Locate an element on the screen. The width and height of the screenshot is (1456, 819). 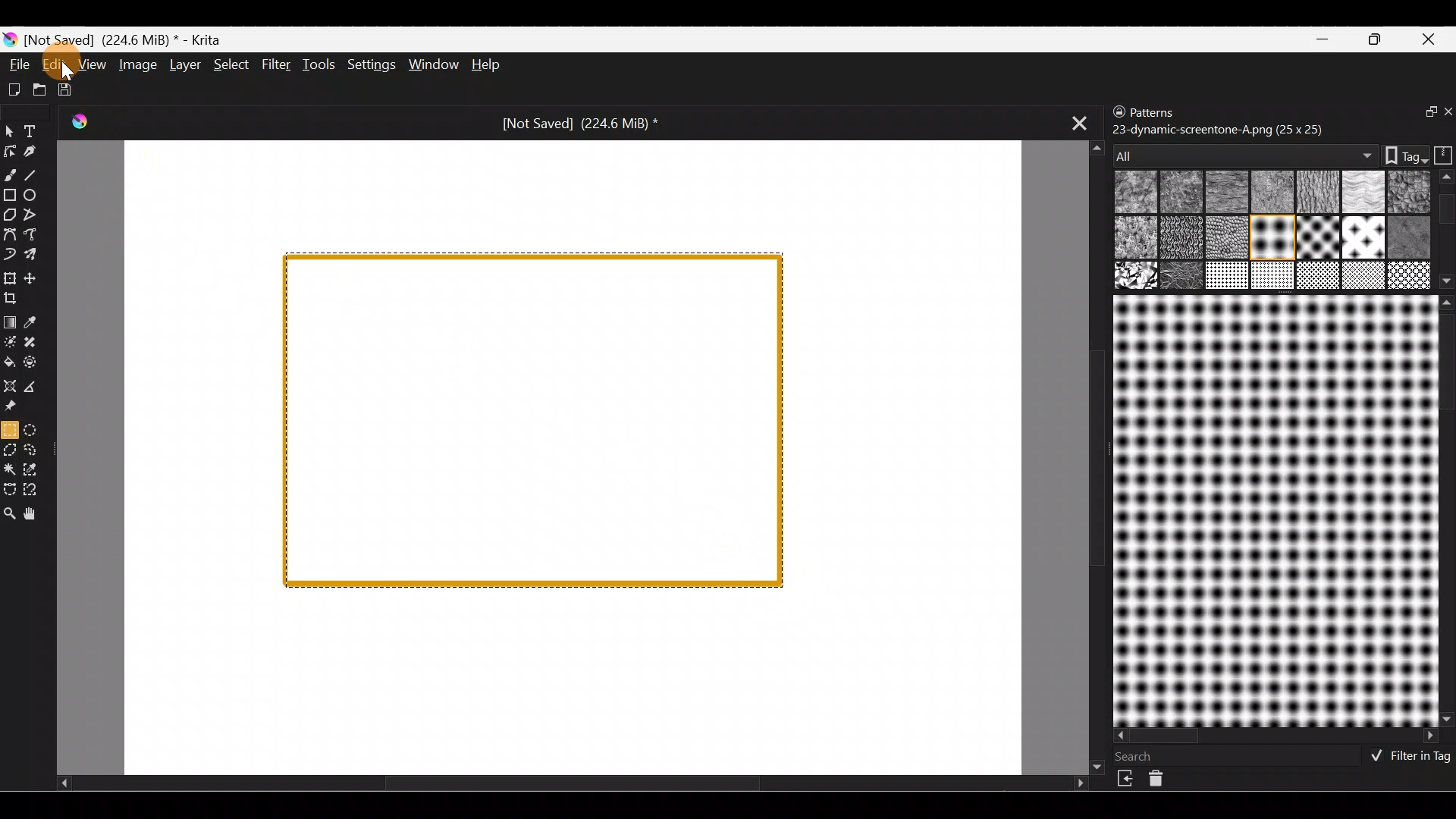
10 drawed_dotted.png is located at coordinates (1270, 240).